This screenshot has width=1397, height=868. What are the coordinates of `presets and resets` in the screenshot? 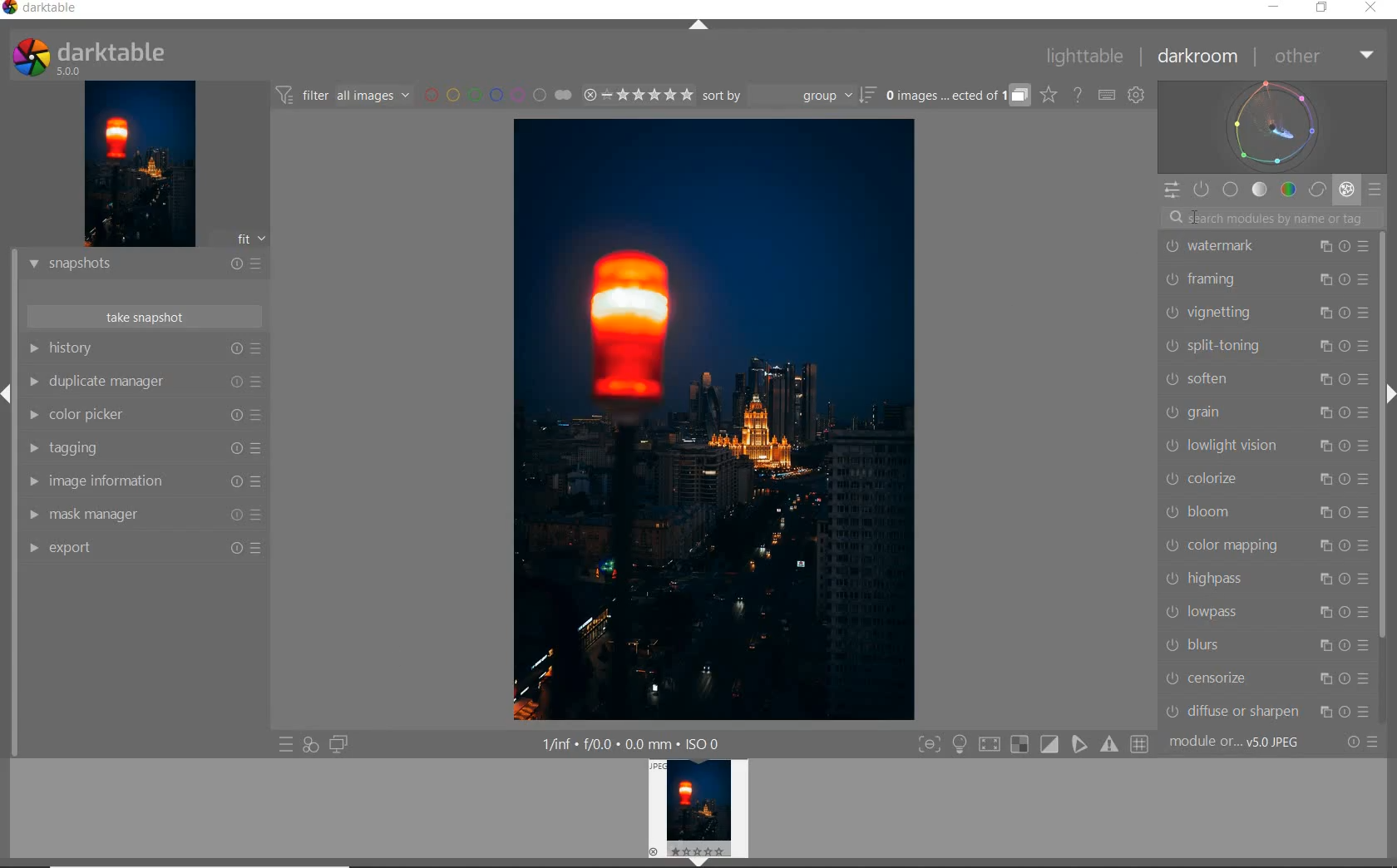 It's located at (259, 348).